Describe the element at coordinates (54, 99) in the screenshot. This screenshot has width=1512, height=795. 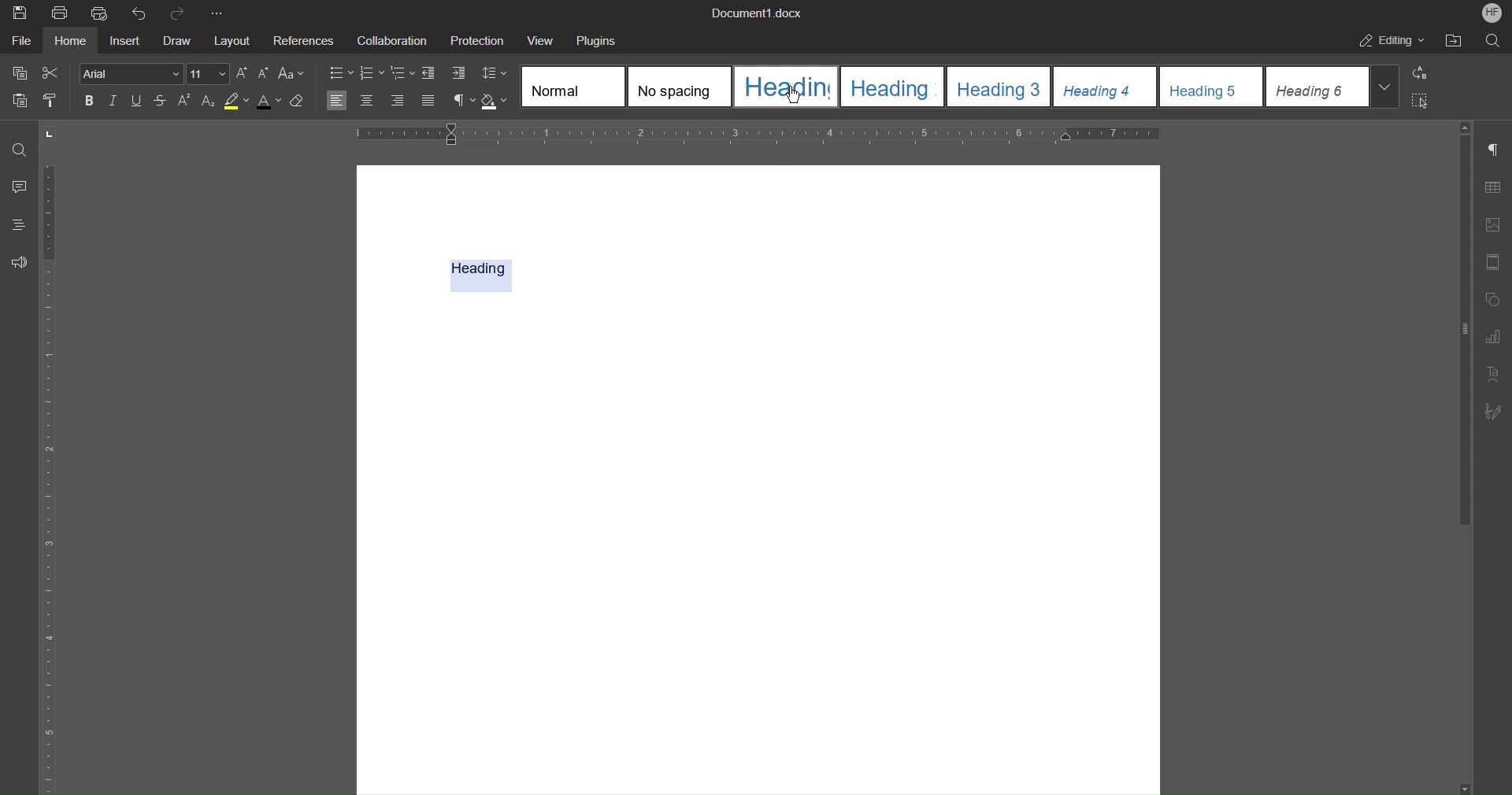
I see `Copy Style` at that location.